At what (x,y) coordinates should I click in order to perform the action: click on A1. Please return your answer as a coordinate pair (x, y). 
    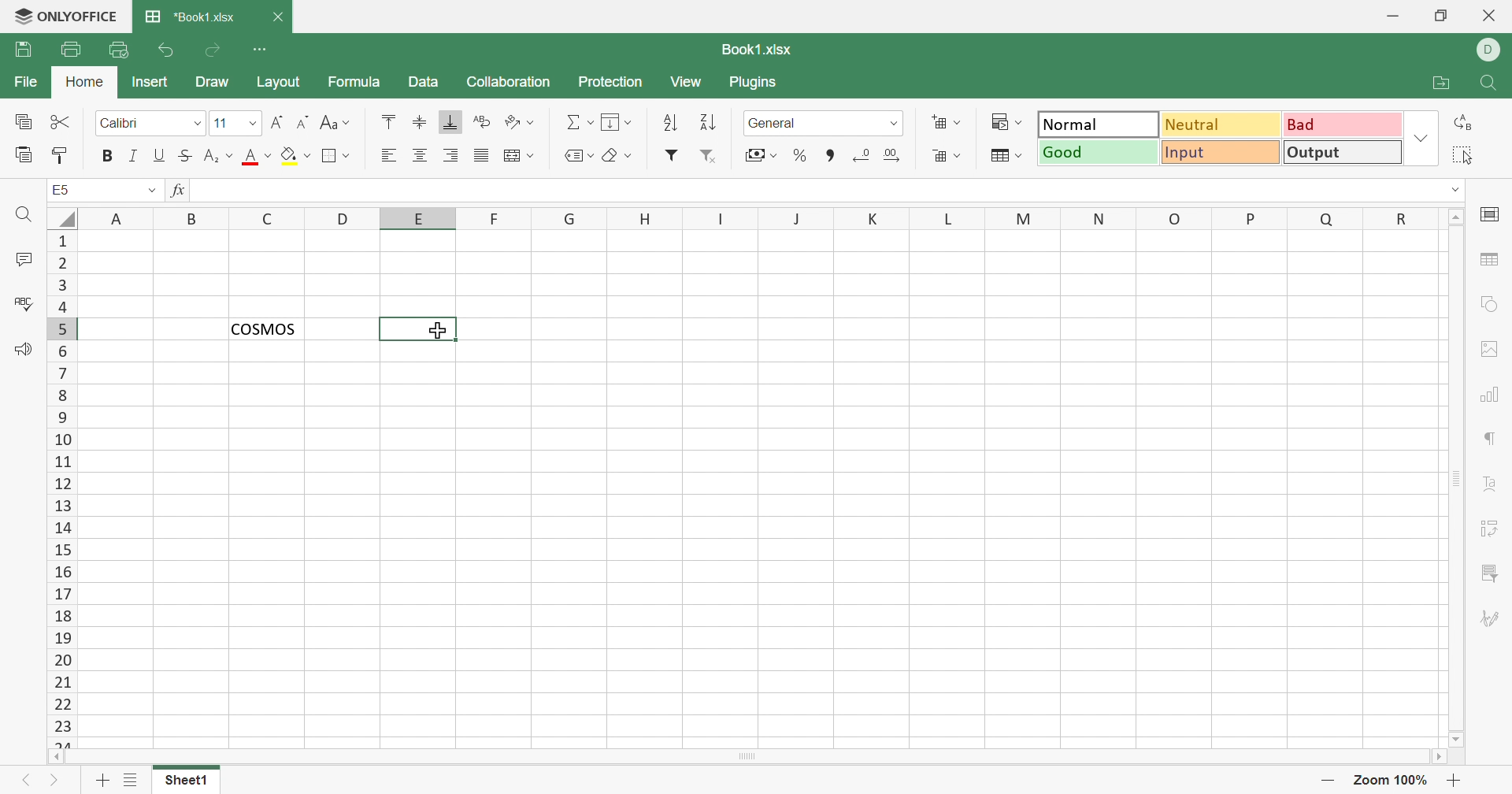
    Looking at the image, I should click on (61, 189).